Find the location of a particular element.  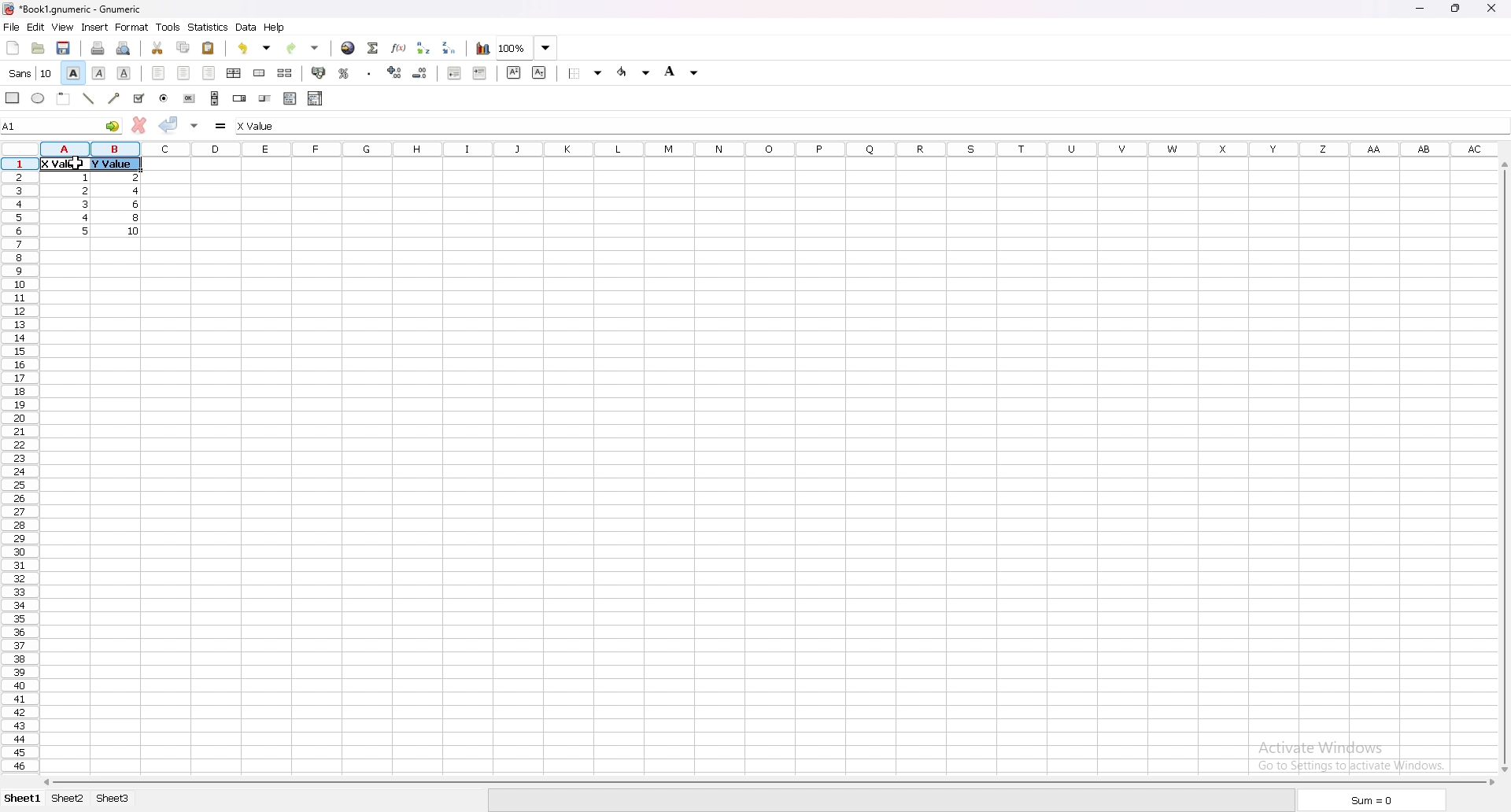

view is located at coordinates (62, 28).